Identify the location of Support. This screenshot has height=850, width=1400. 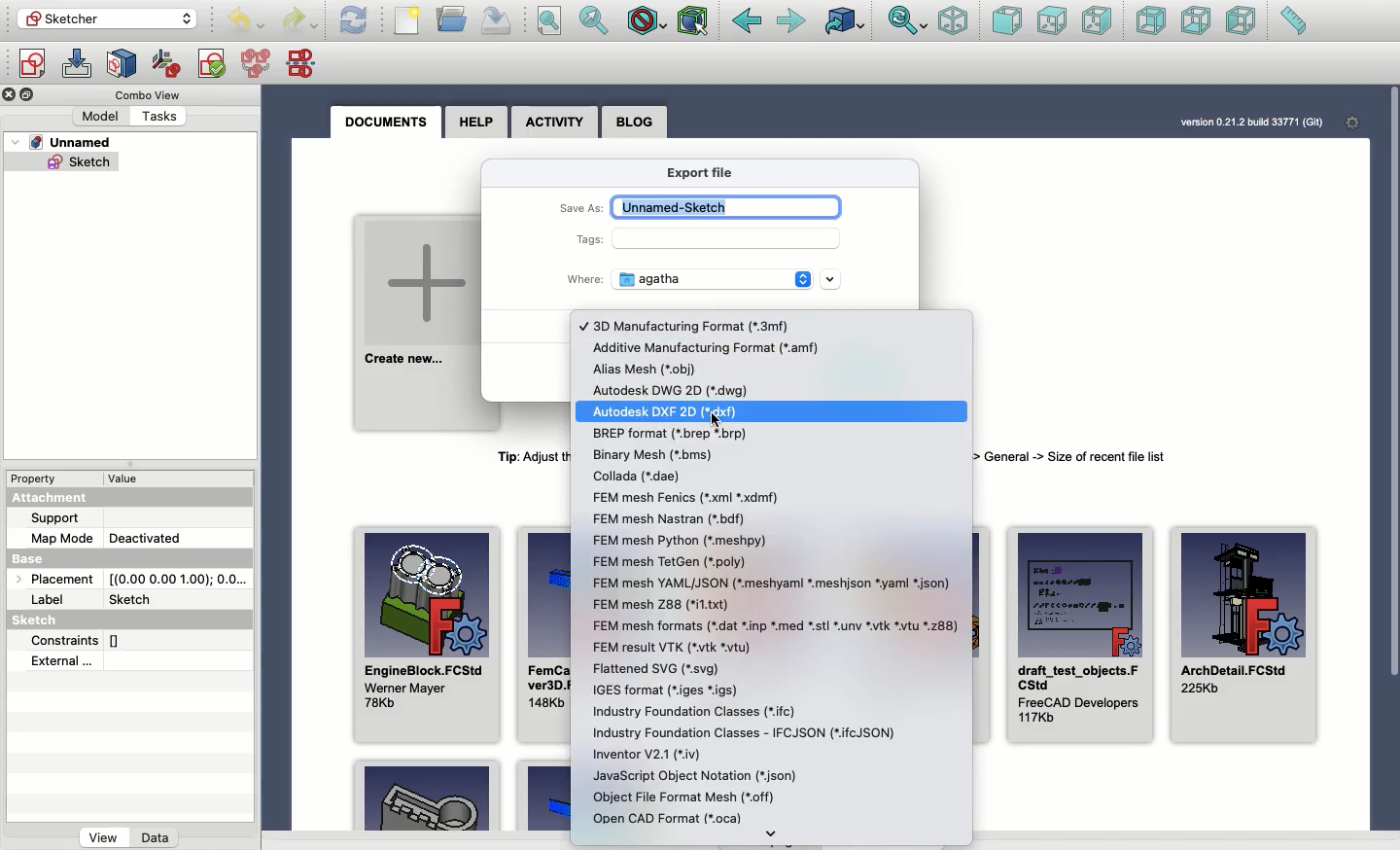
(60, 517).